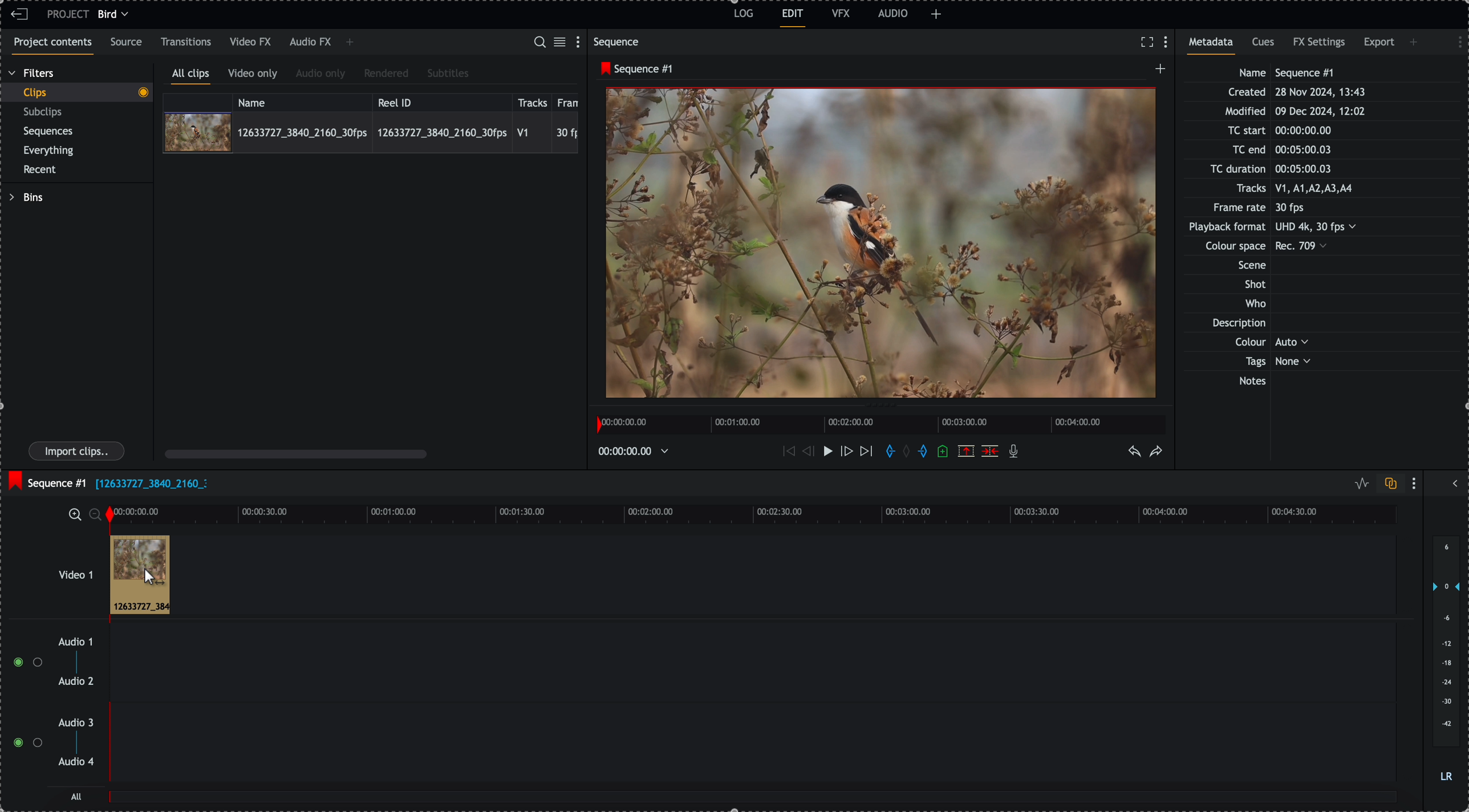 This screenshot has width=1469, height=812. I want to click on toggle audio levels editing, so click(1359, 484).